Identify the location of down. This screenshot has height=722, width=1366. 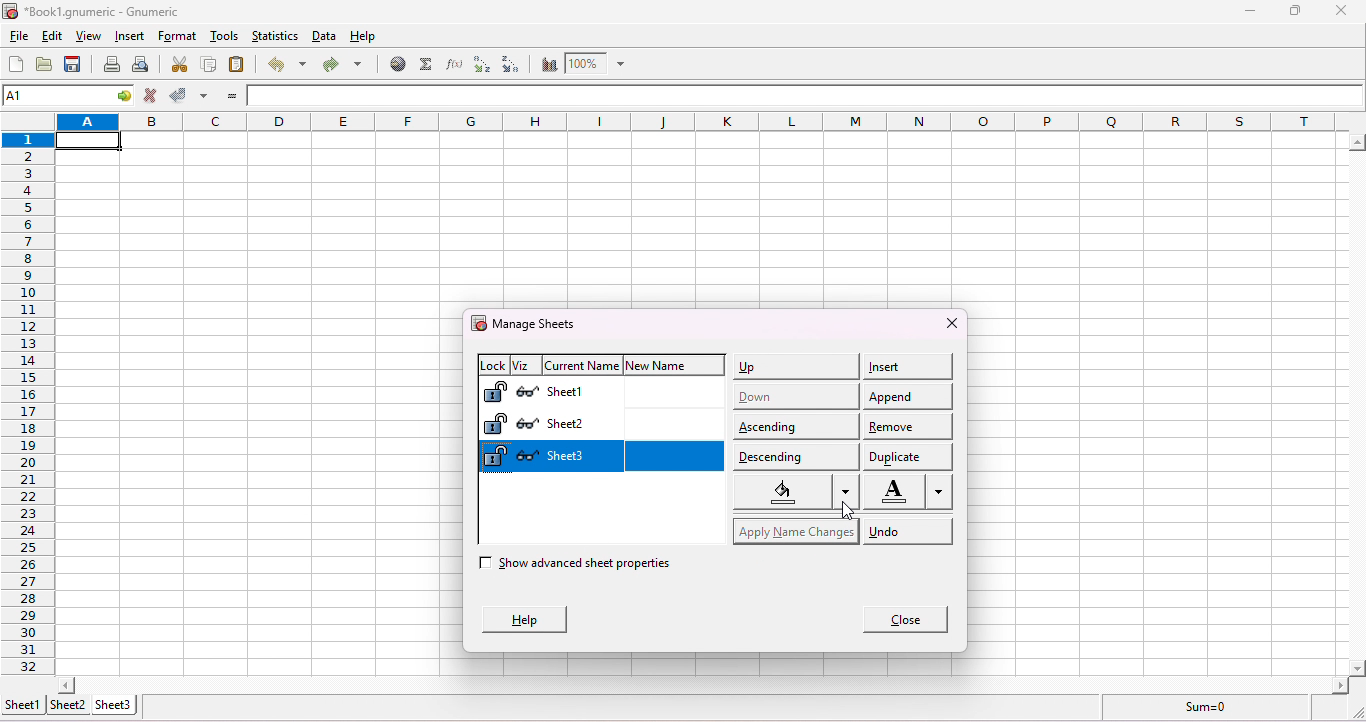
(794, 393).